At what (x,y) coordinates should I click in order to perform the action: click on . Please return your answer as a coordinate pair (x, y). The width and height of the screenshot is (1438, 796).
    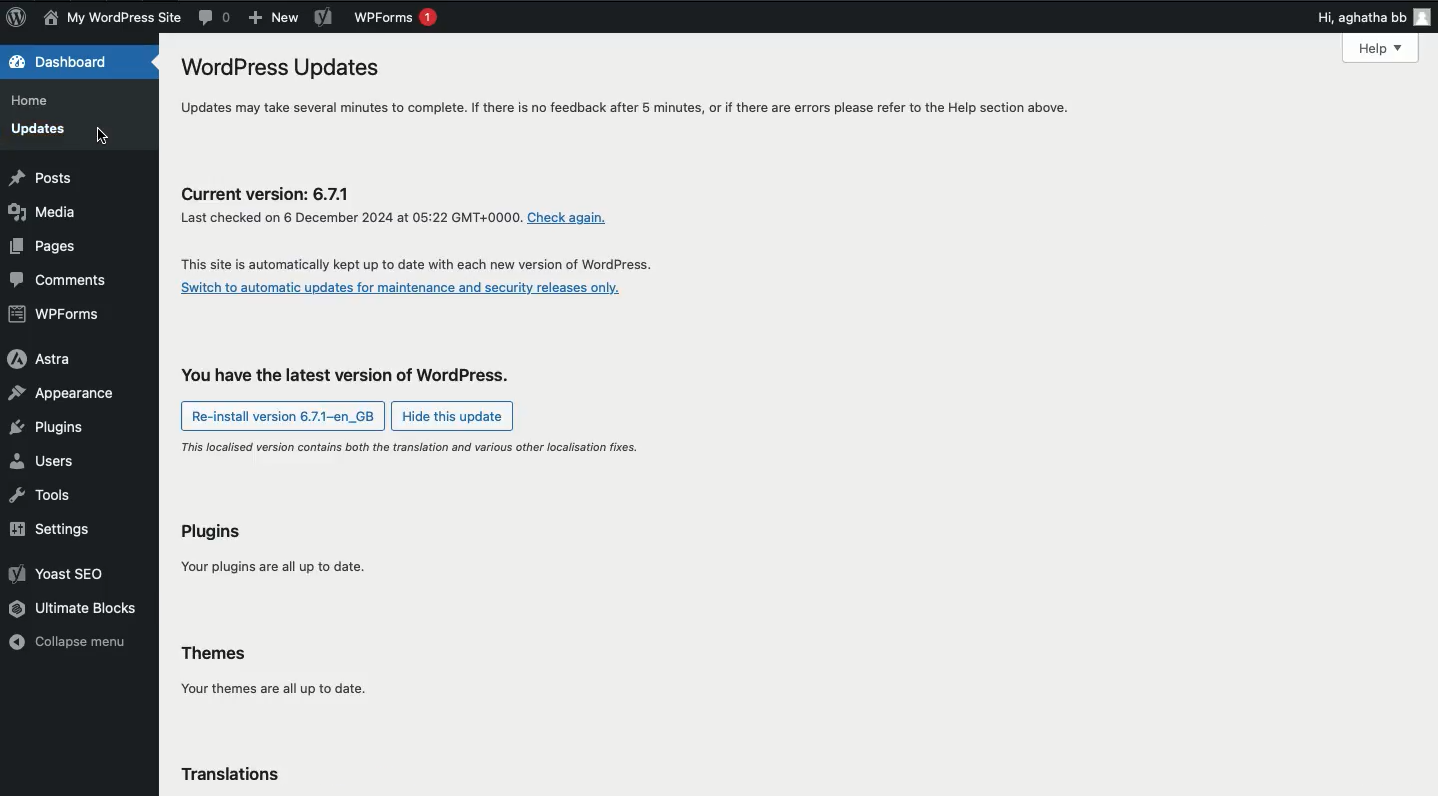
    Looking at the image, I should click on (350, 217).